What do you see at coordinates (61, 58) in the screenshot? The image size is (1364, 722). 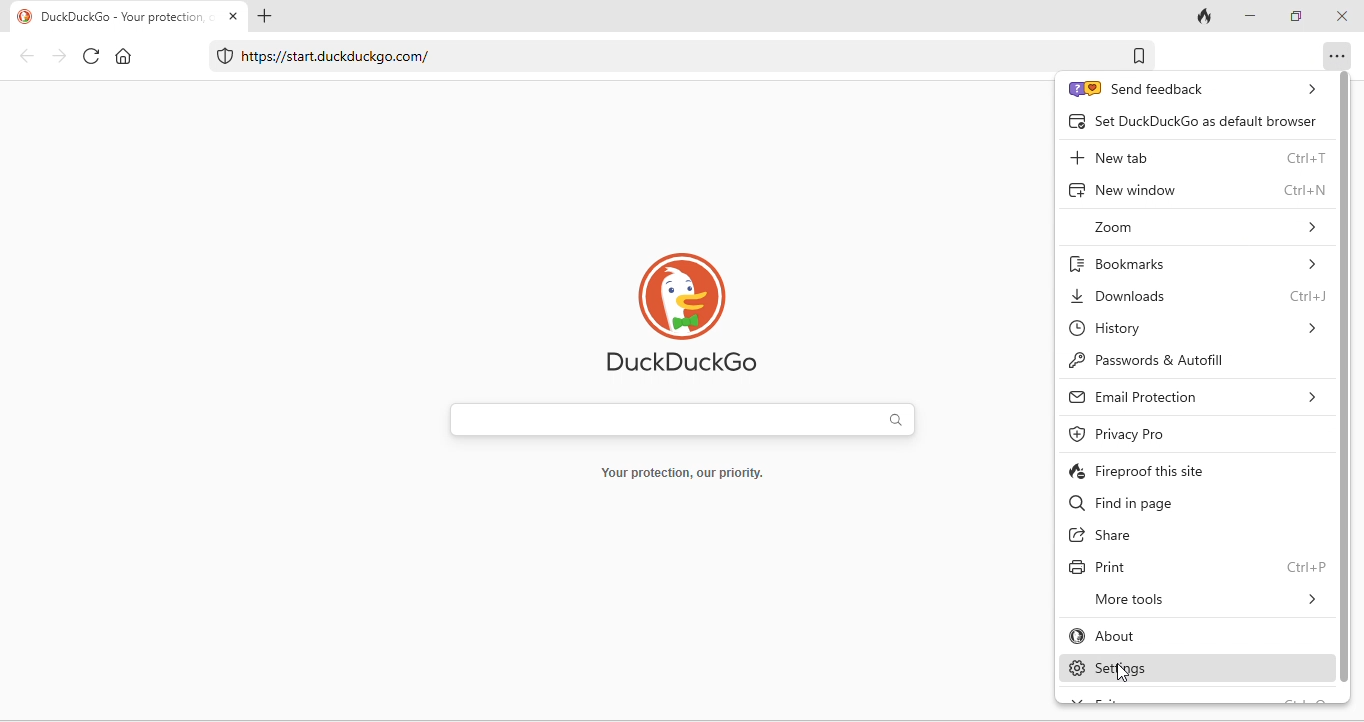 I see `forward` at bounding box center [61, 58].